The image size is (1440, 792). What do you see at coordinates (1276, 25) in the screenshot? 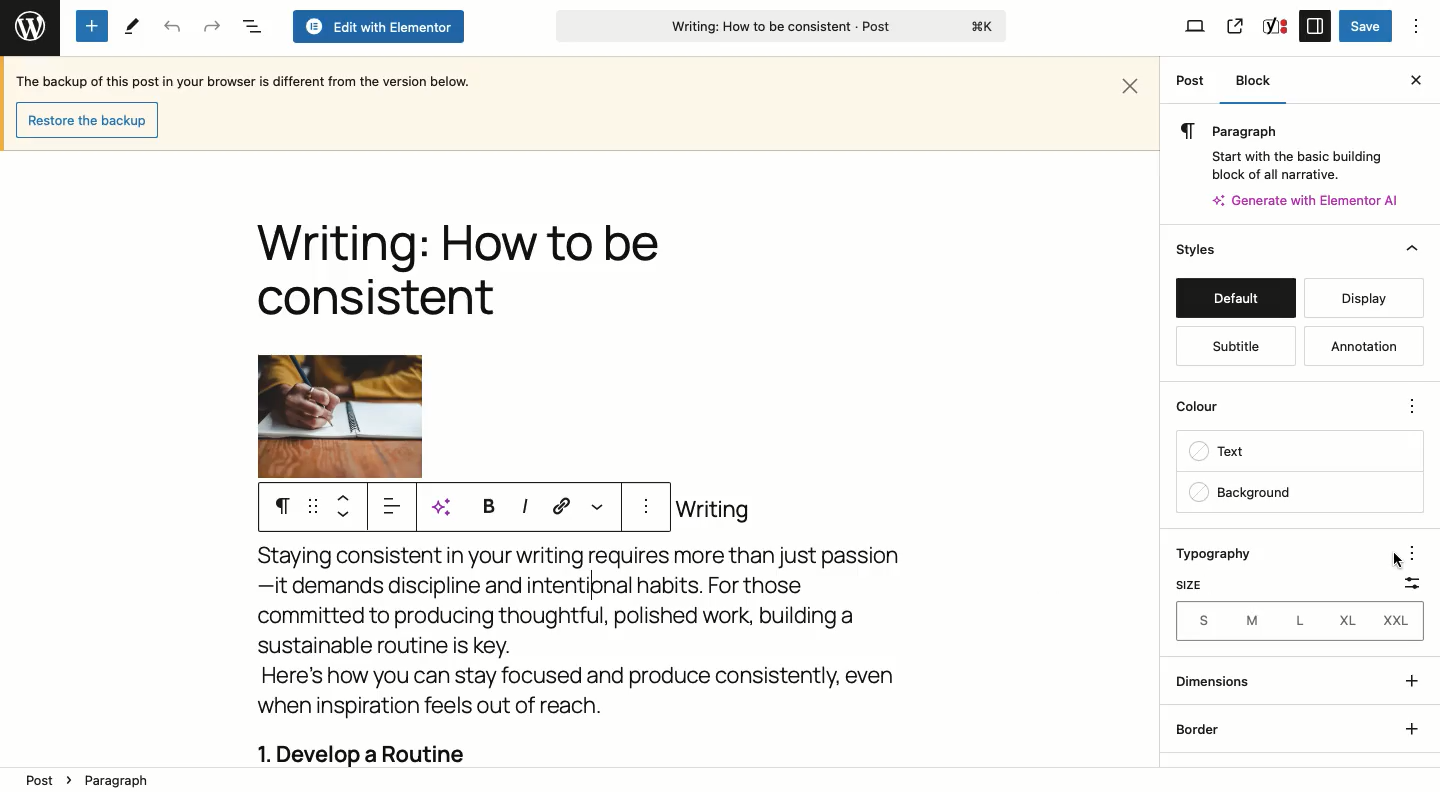
I see `Yoast` at bounding box center [1276, 25].